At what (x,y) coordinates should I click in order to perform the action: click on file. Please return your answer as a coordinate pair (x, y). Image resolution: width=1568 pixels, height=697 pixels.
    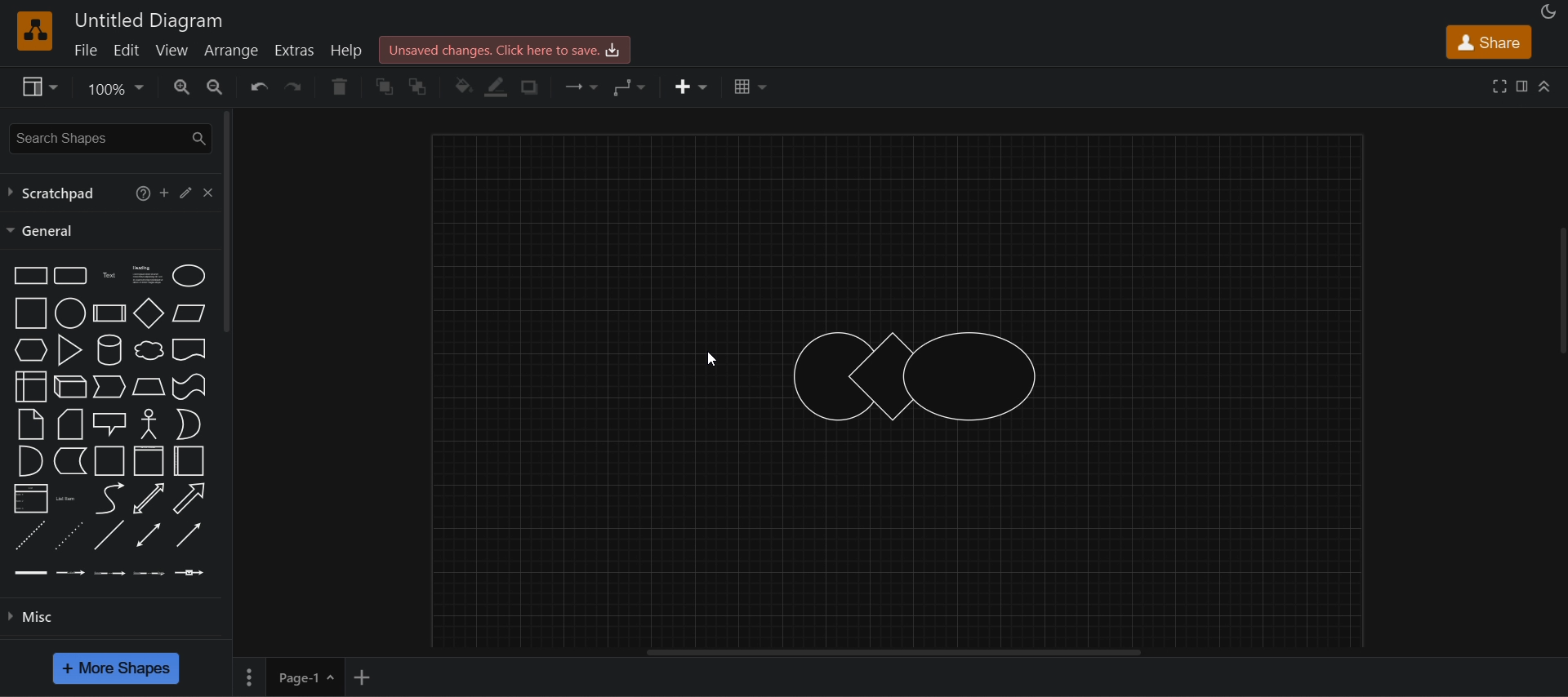
    Looking at the image, I should click on (84, 49).